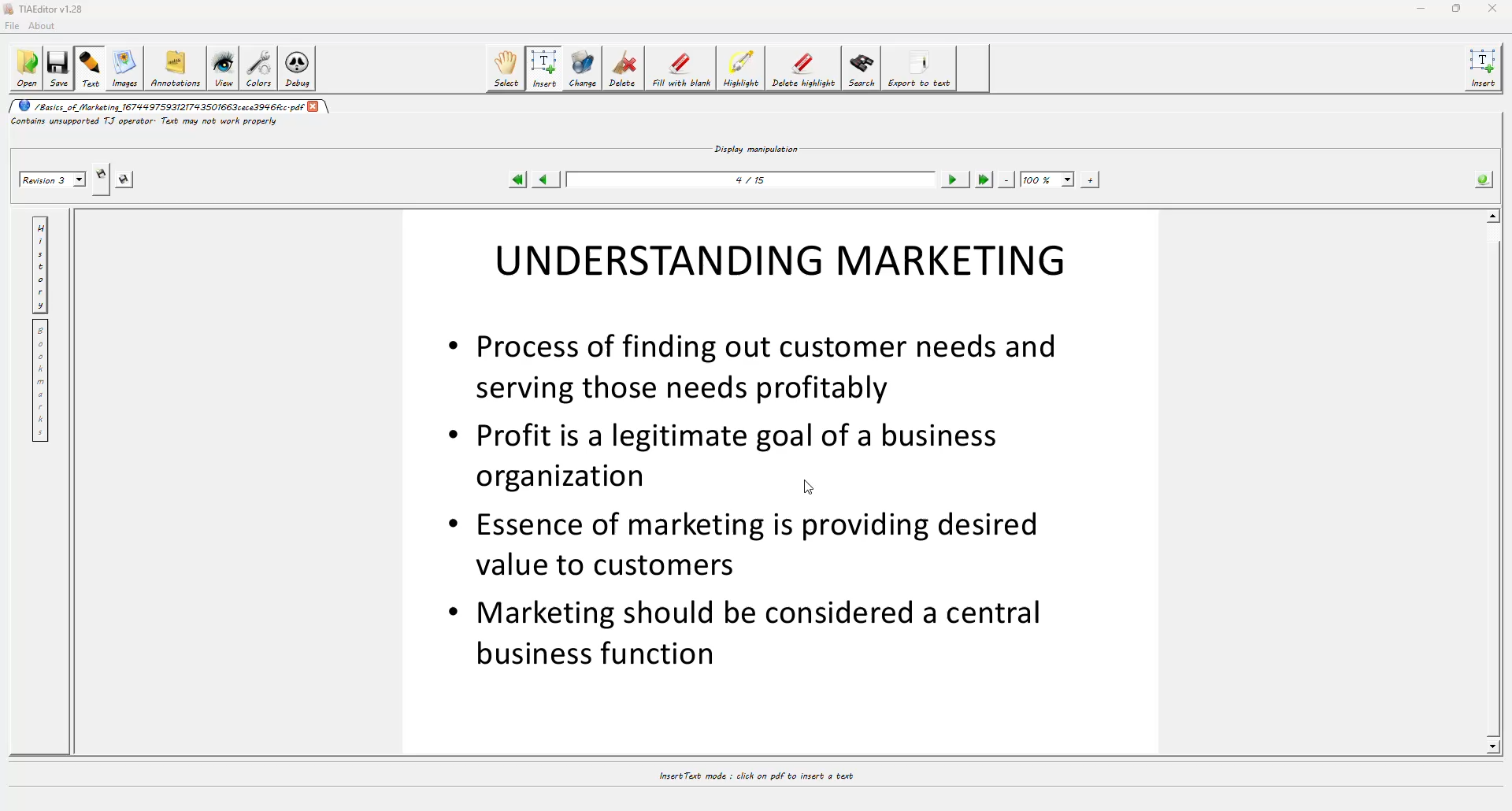  Describe the element at coordinates (1492, 746) in the screenshot. I see `scroll down` at that location.